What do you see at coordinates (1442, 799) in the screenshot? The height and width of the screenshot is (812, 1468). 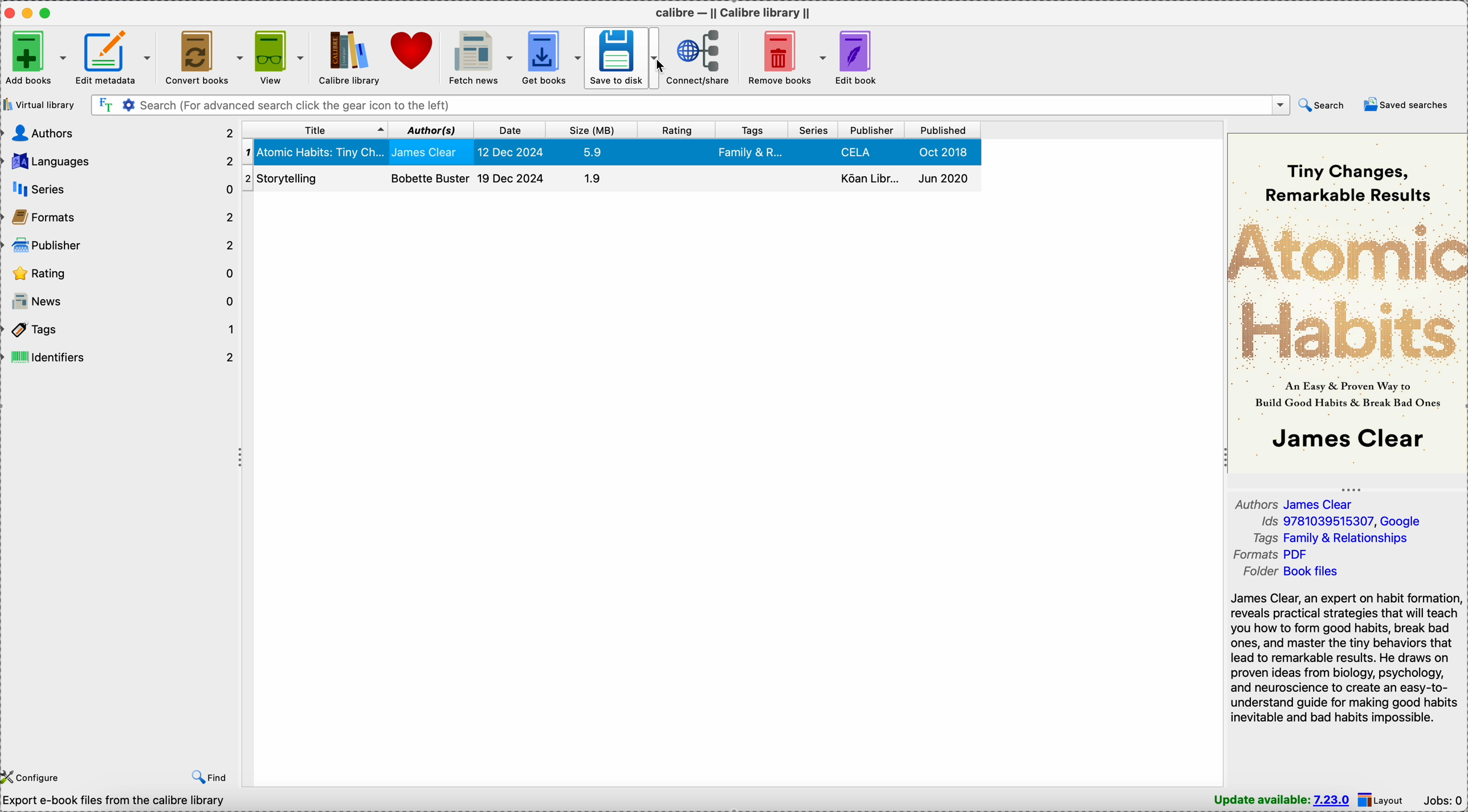 I see `Jobs: 0` at bounding box center [1442, 799].